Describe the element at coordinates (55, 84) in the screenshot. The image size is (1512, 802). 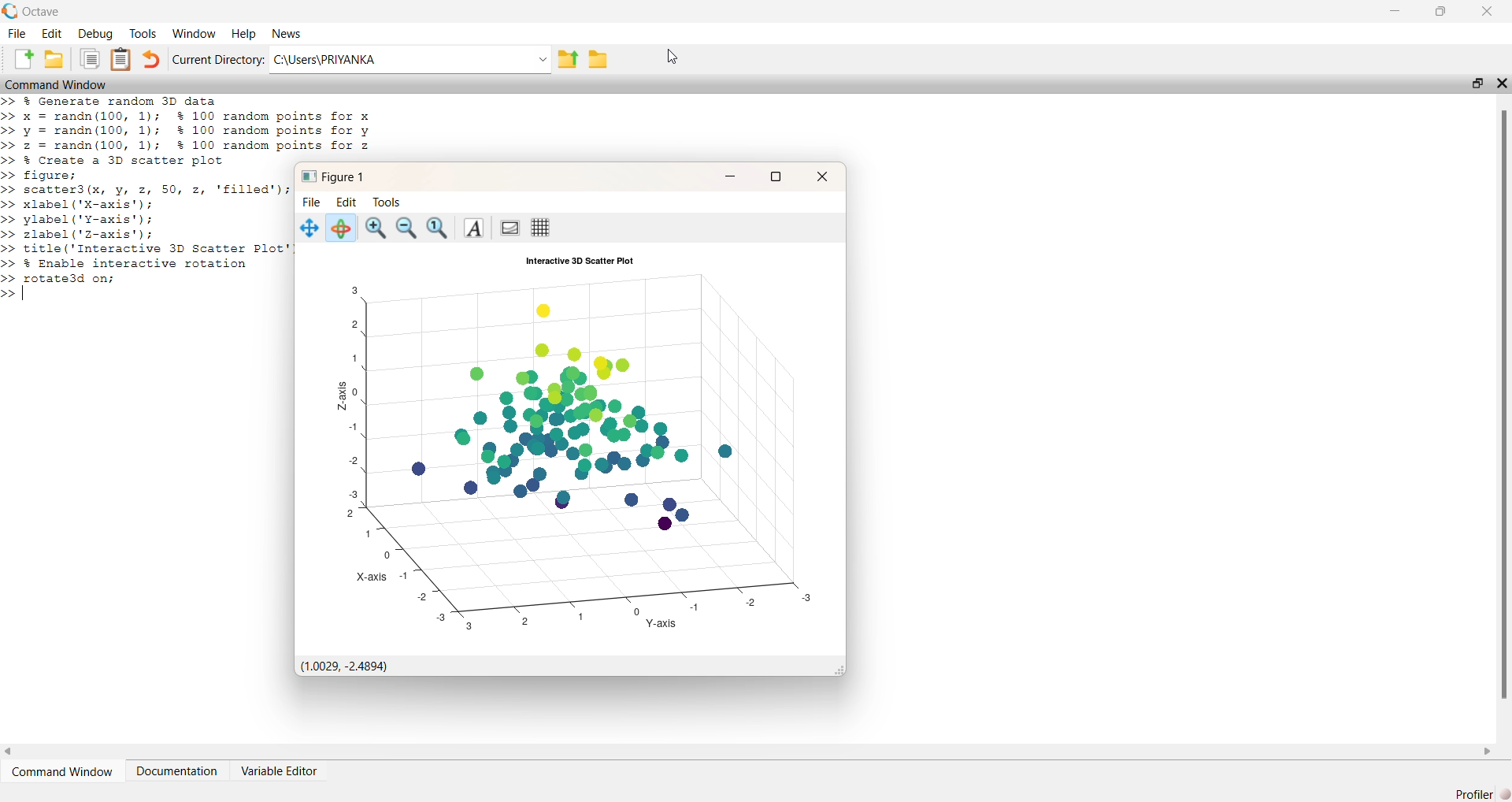
I see `Command Window` at that location.